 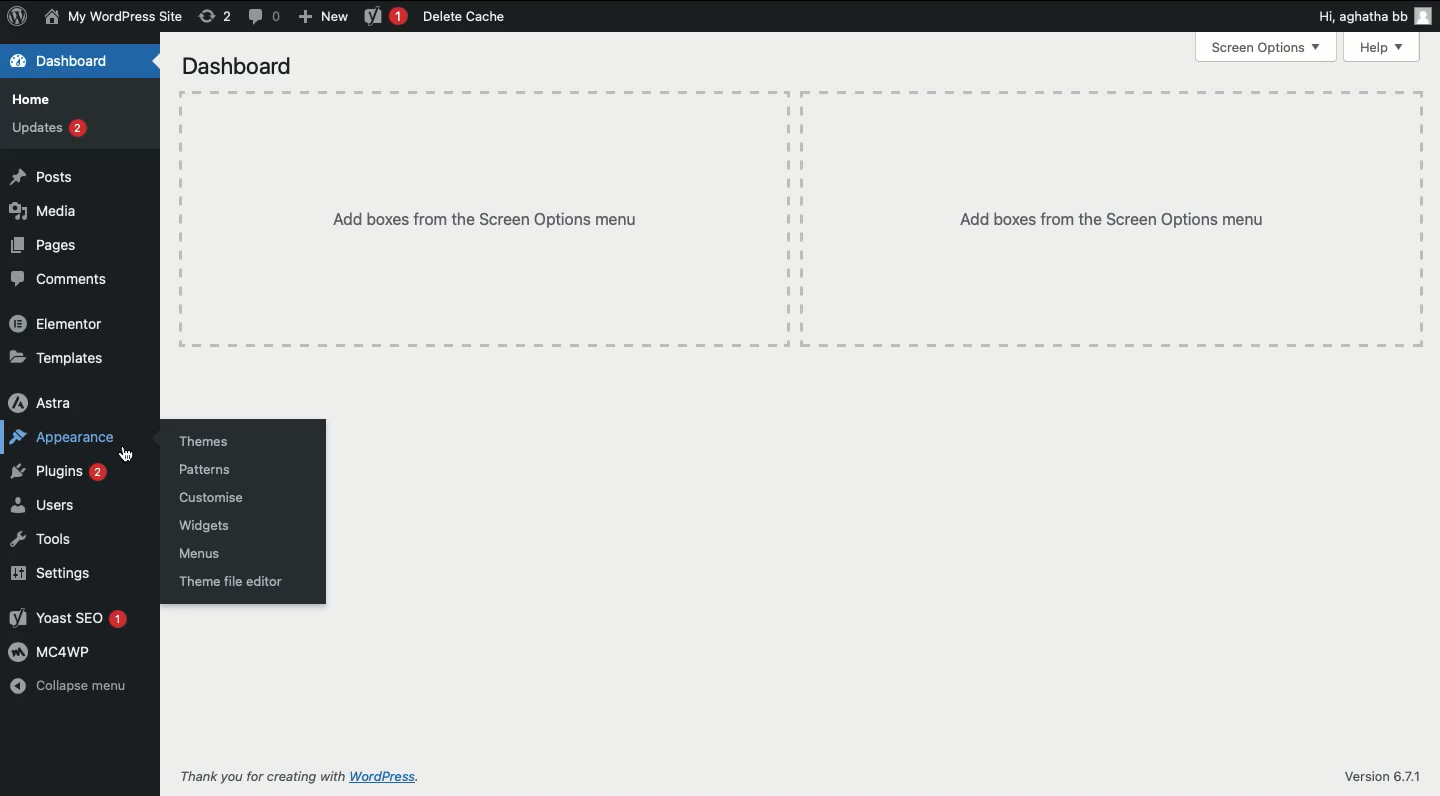 What do you see at coordinates (329, 17) in the screenshot?
I see `New` at bounding box center [329, 17].